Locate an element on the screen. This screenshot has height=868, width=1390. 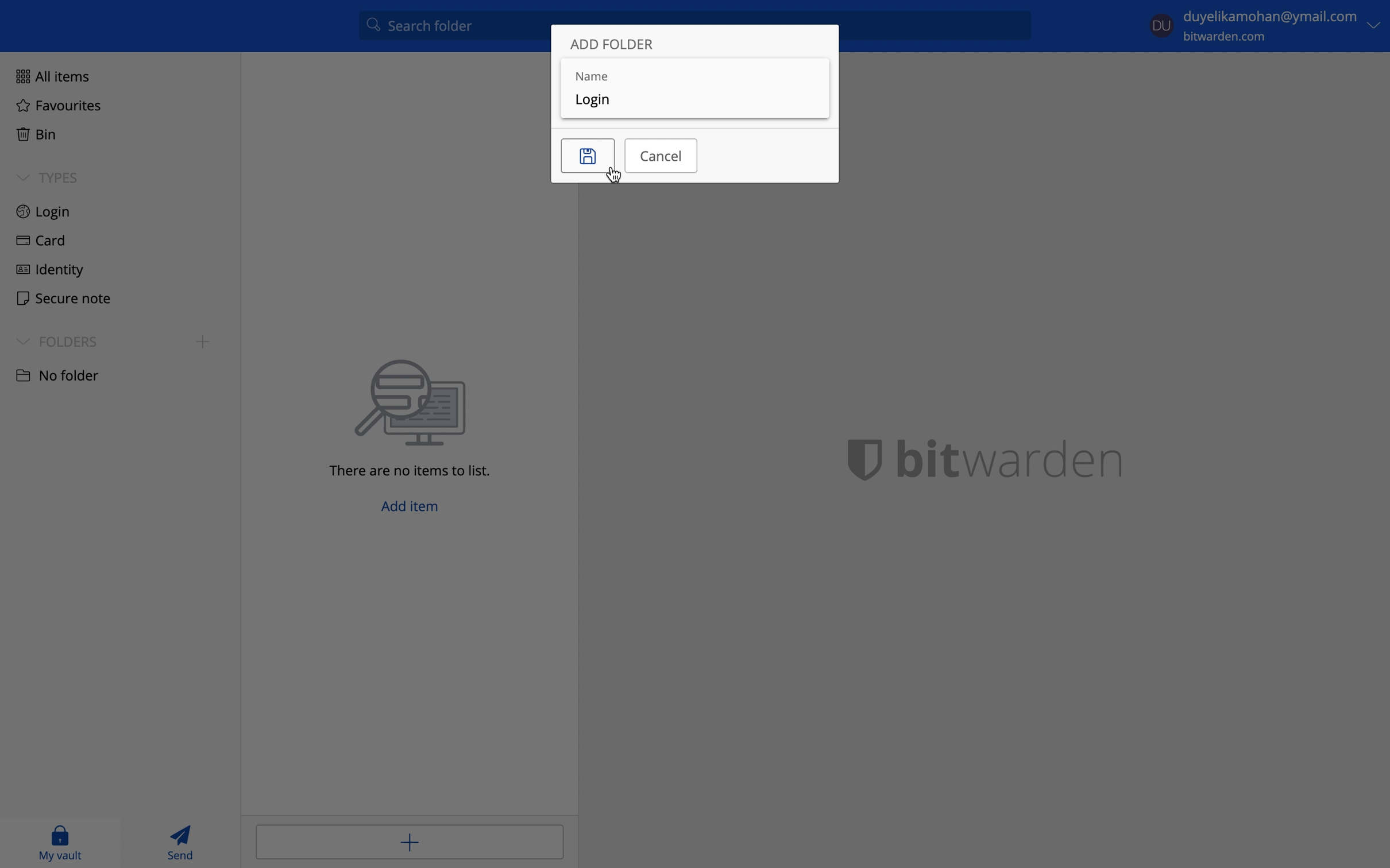
card is located at coordinates (38, 242).